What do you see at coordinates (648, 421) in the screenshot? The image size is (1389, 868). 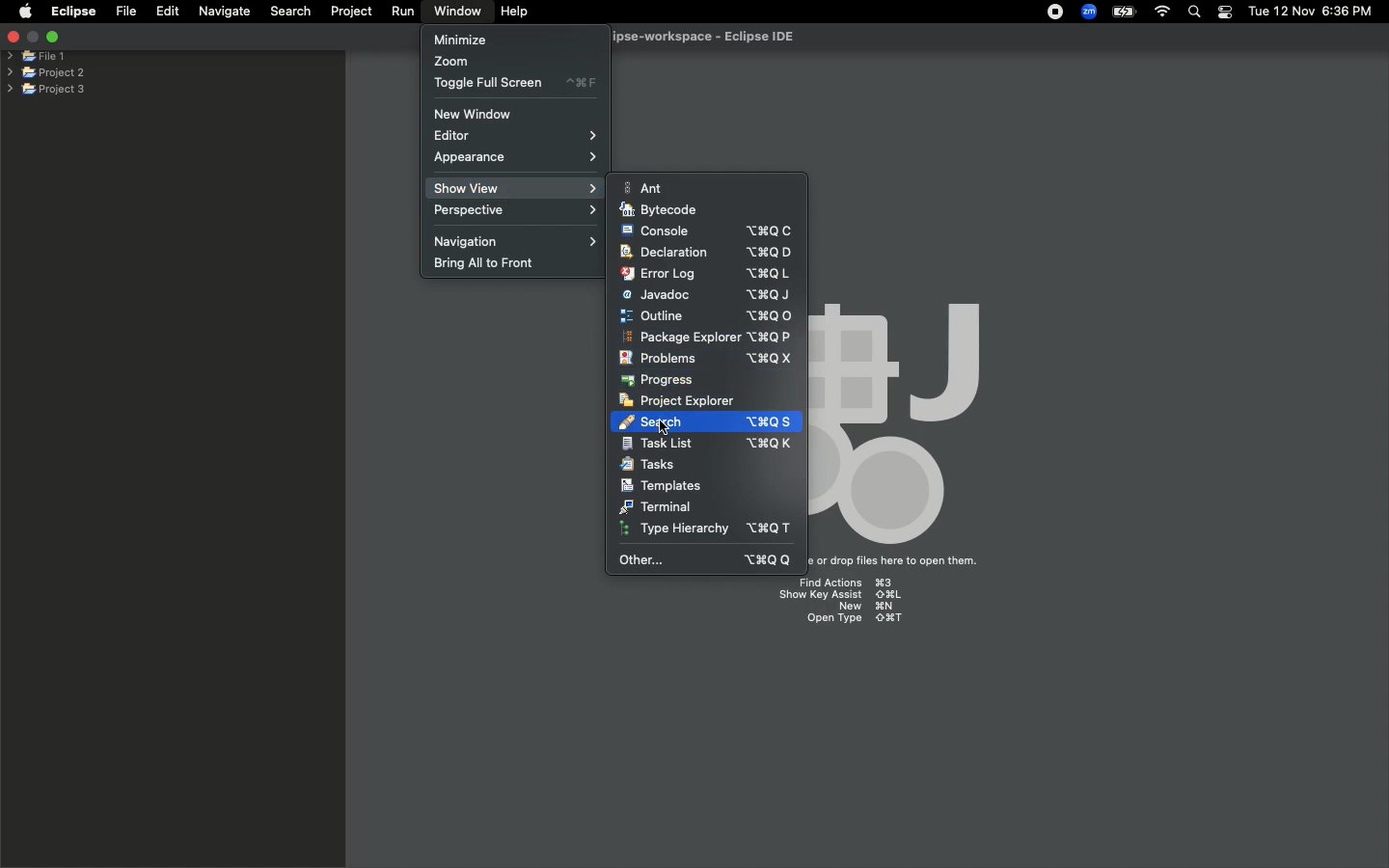 I see `Selecting search` at bounding box center [648, 421].